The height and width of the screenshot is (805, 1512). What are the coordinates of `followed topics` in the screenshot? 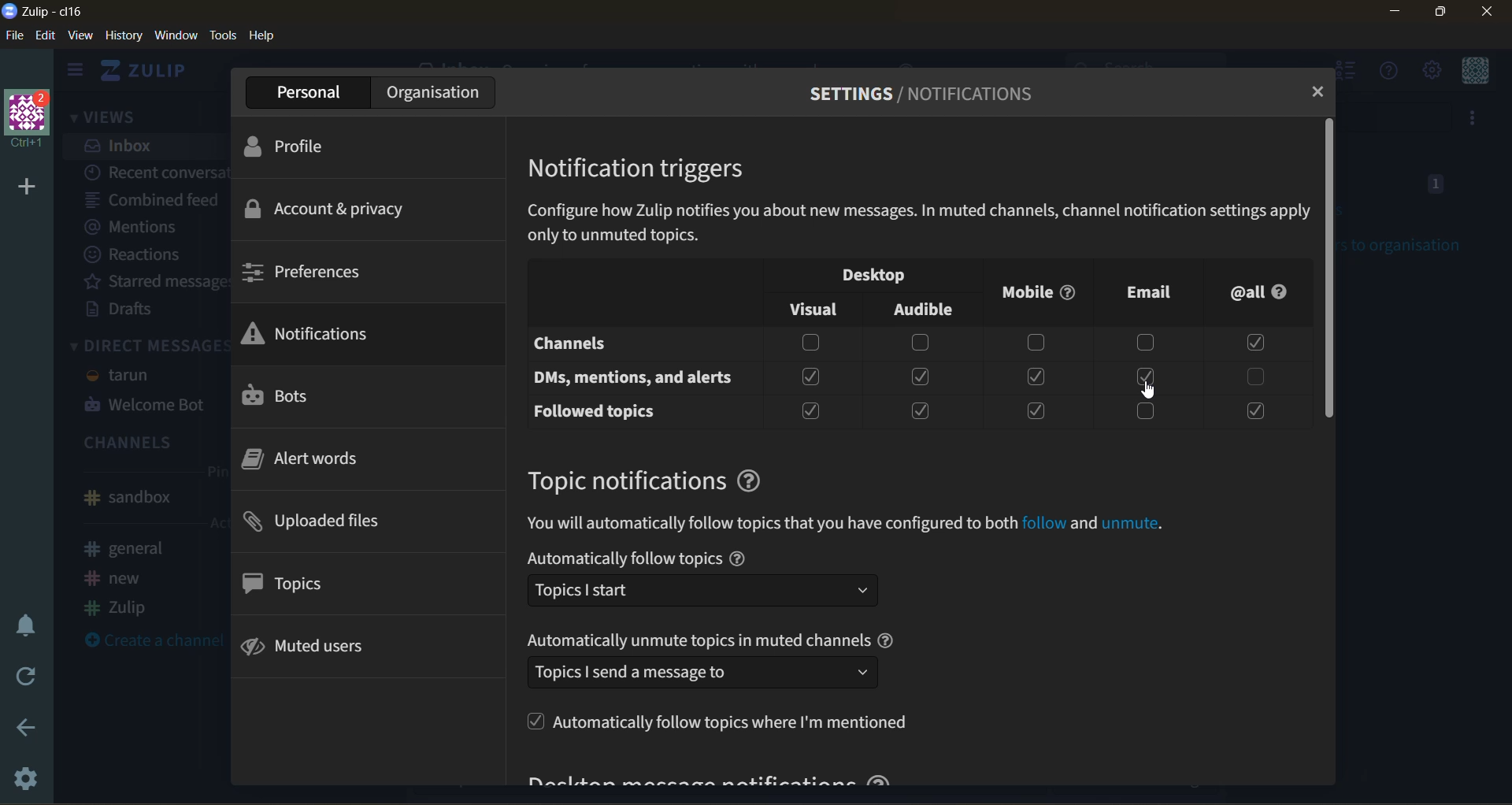 It's located at (594, 410).